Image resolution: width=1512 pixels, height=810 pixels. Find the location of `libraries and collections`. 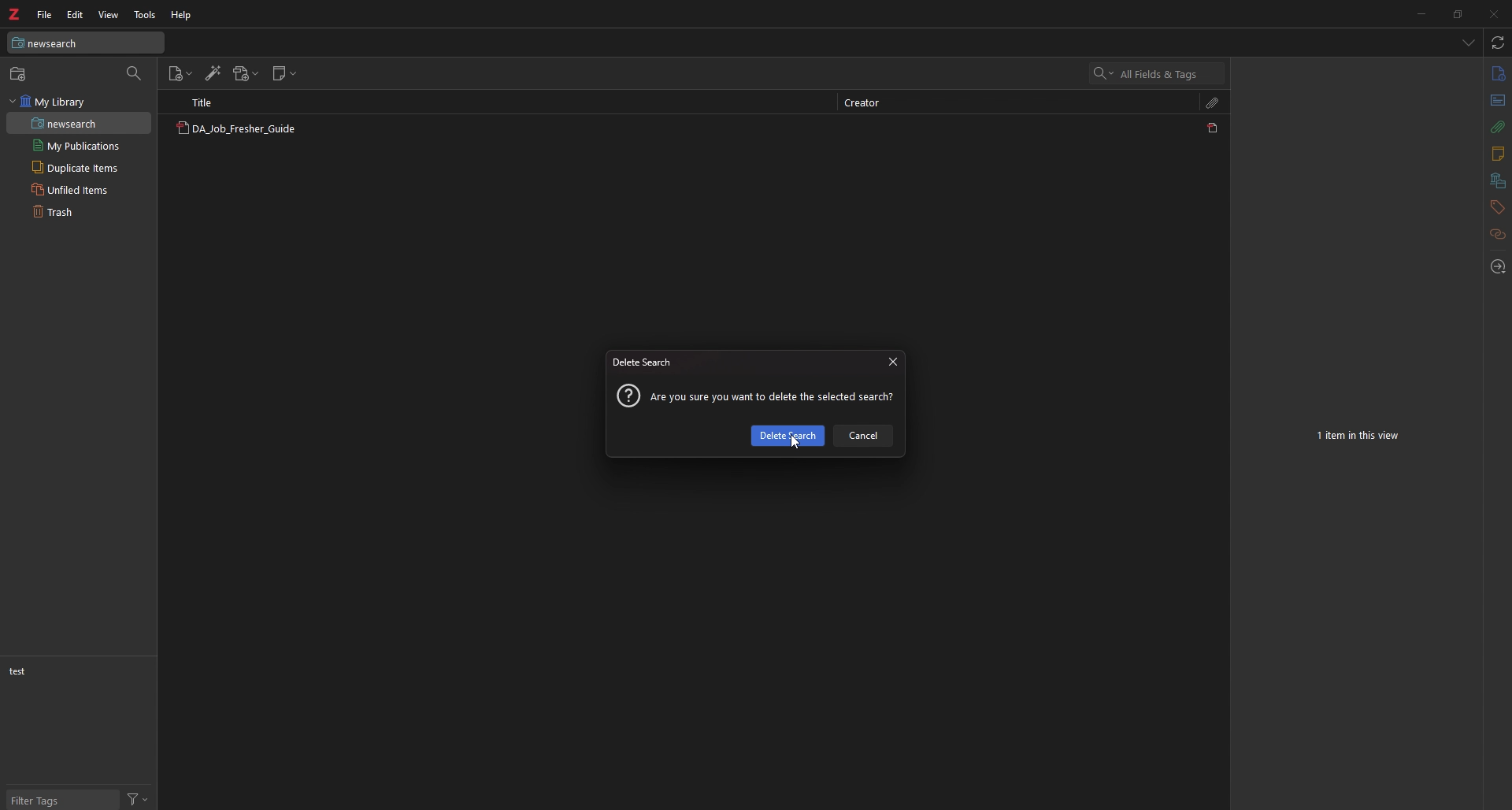

libraries and collections is located at coordinates (1499, 180).